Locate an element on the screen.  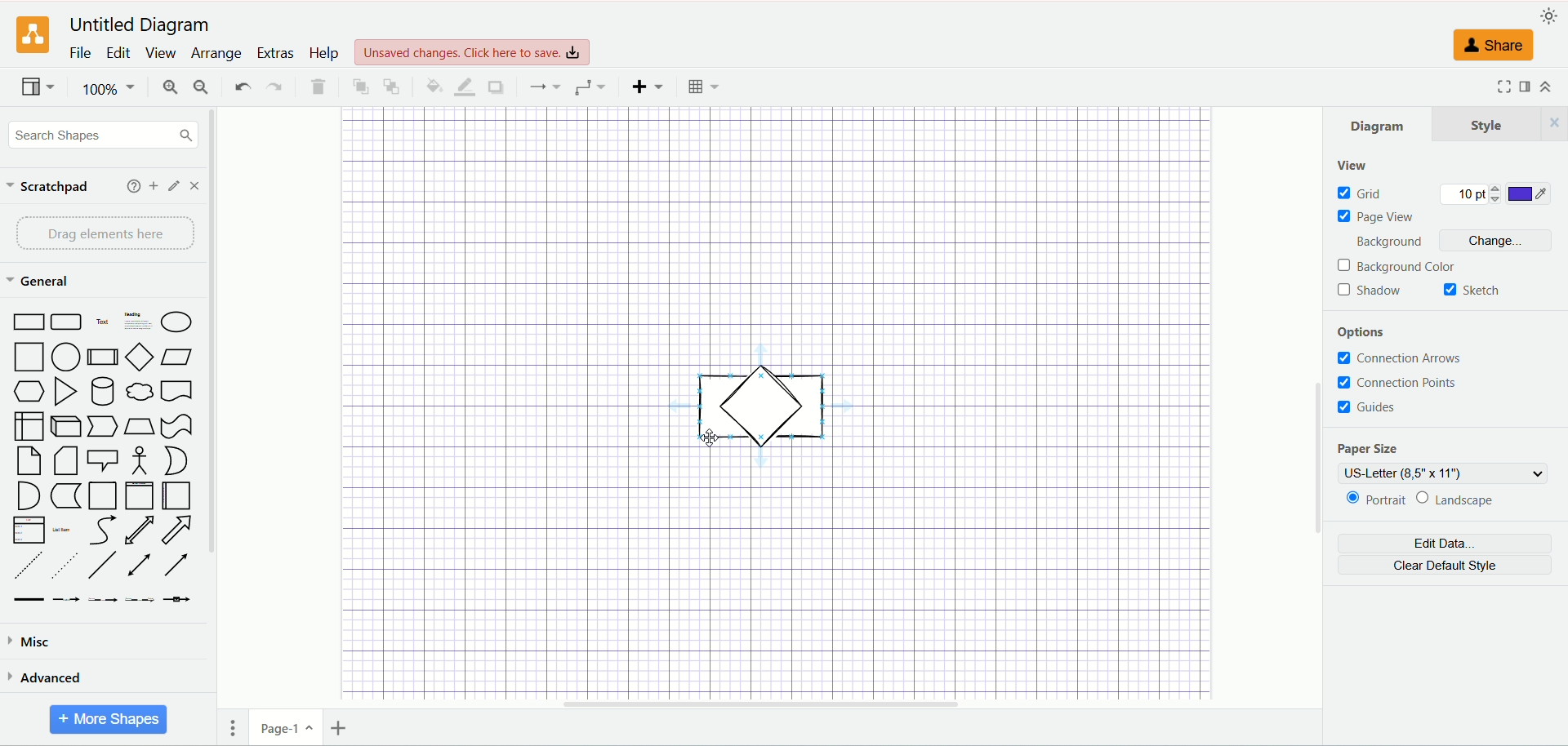
Rectantangle is located at coordinates (28, 322).